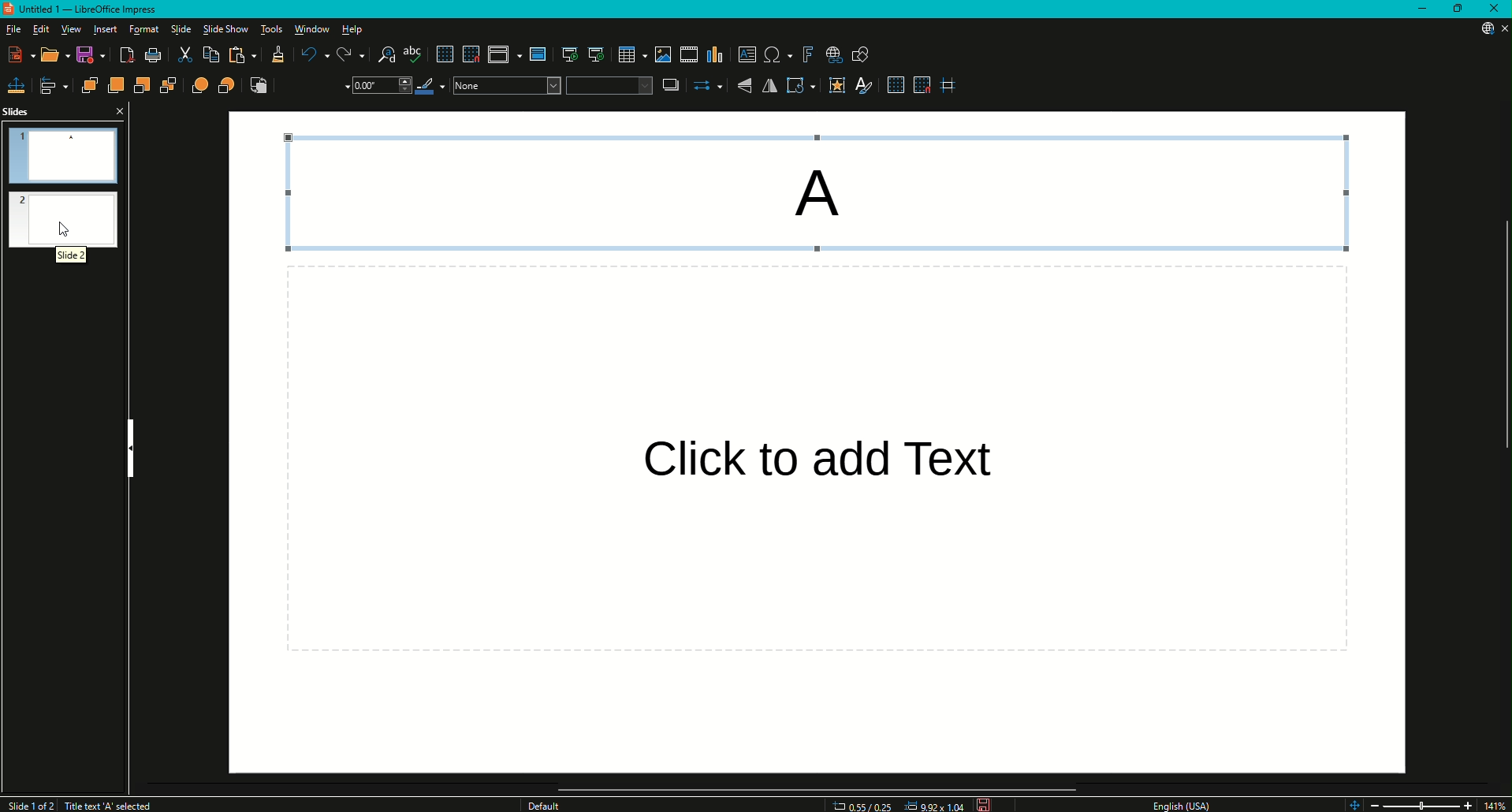 The width and height of the screenshot is (1512, 812). I want to click on Scroll, so click(1513, 334).